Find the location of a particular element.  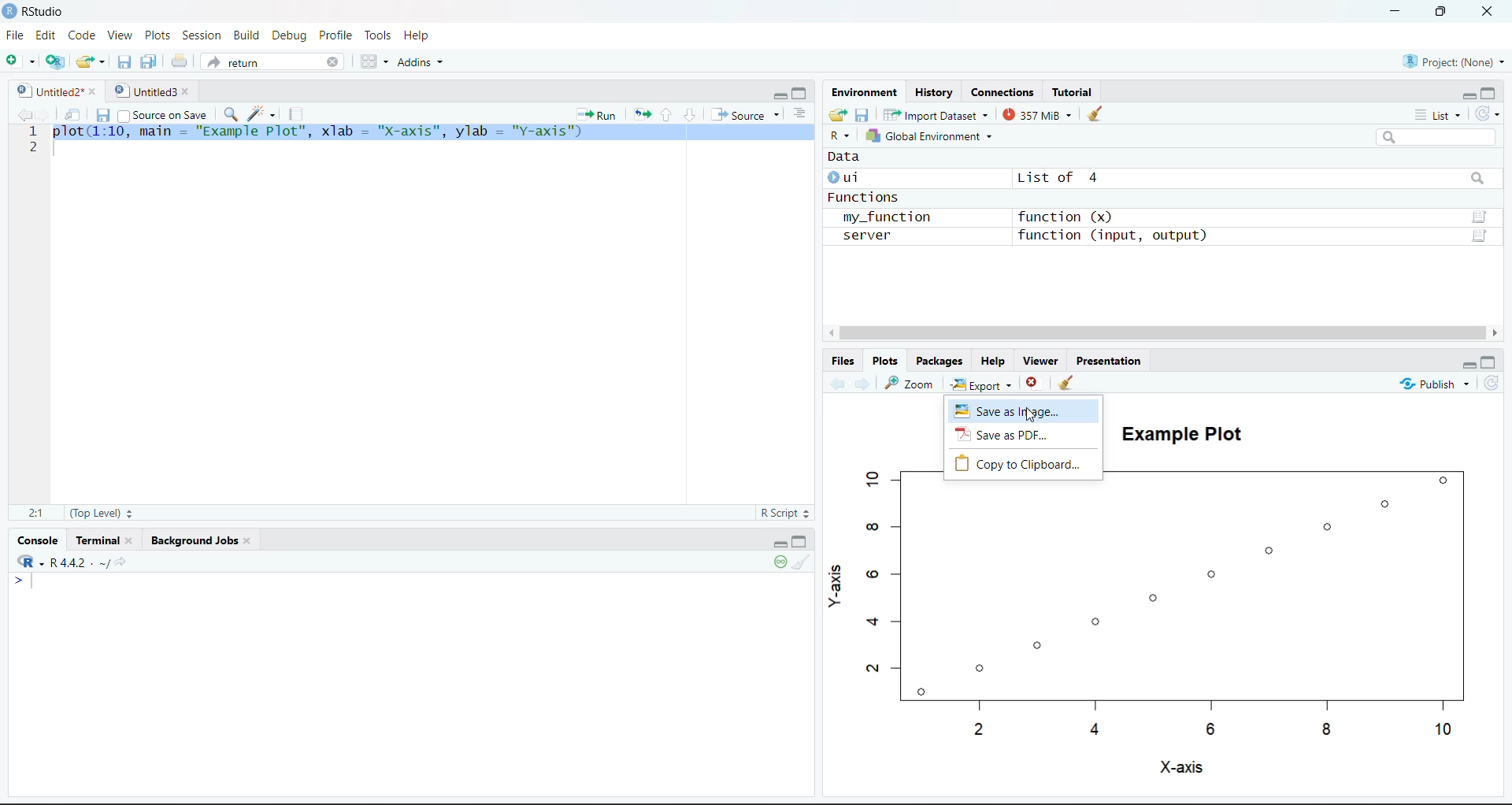

ui is located at coordinates (849, 177).